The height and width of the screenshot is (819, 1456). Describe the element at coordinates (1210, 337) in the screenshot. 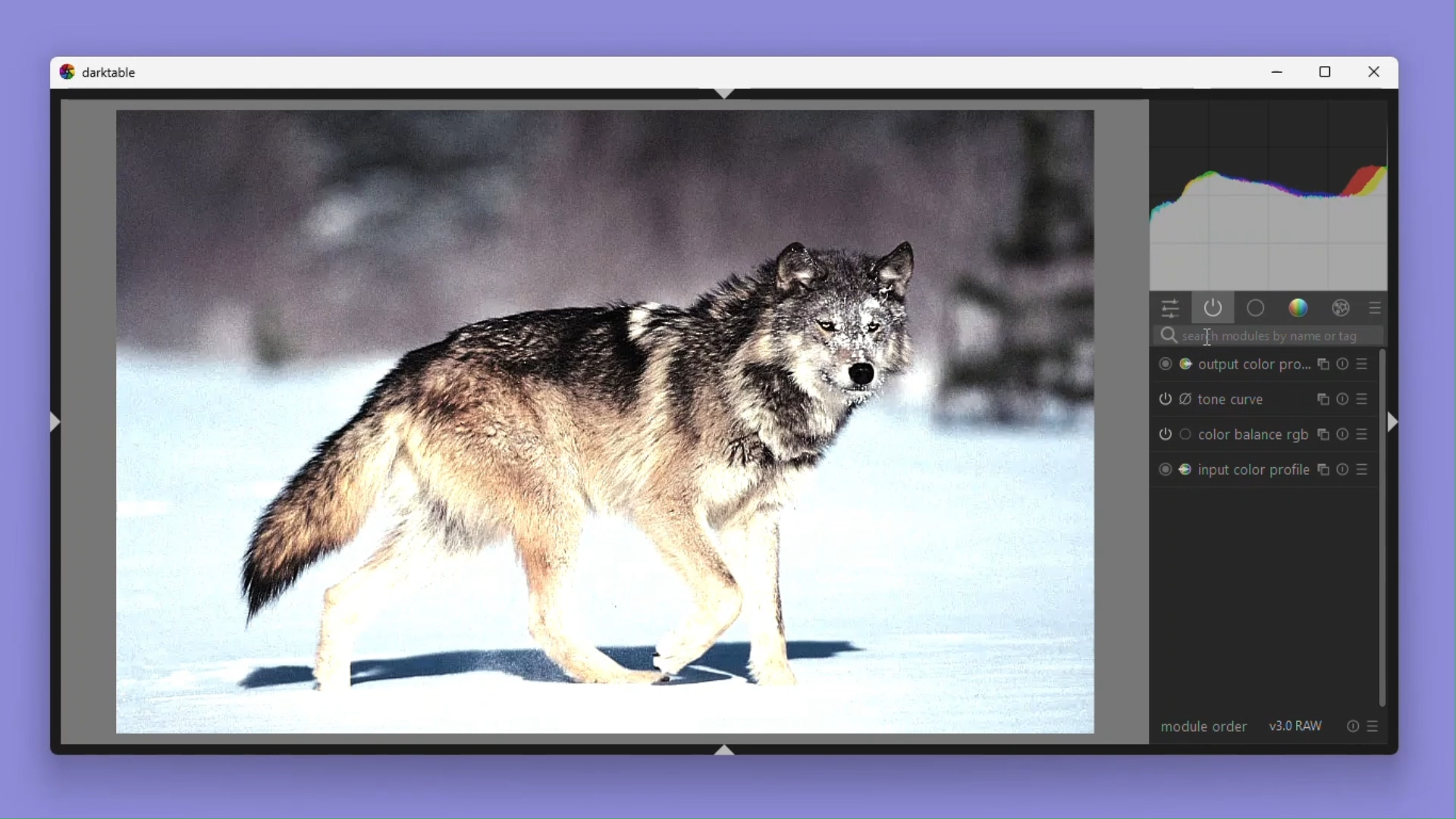

I see `text cursor` at that location.